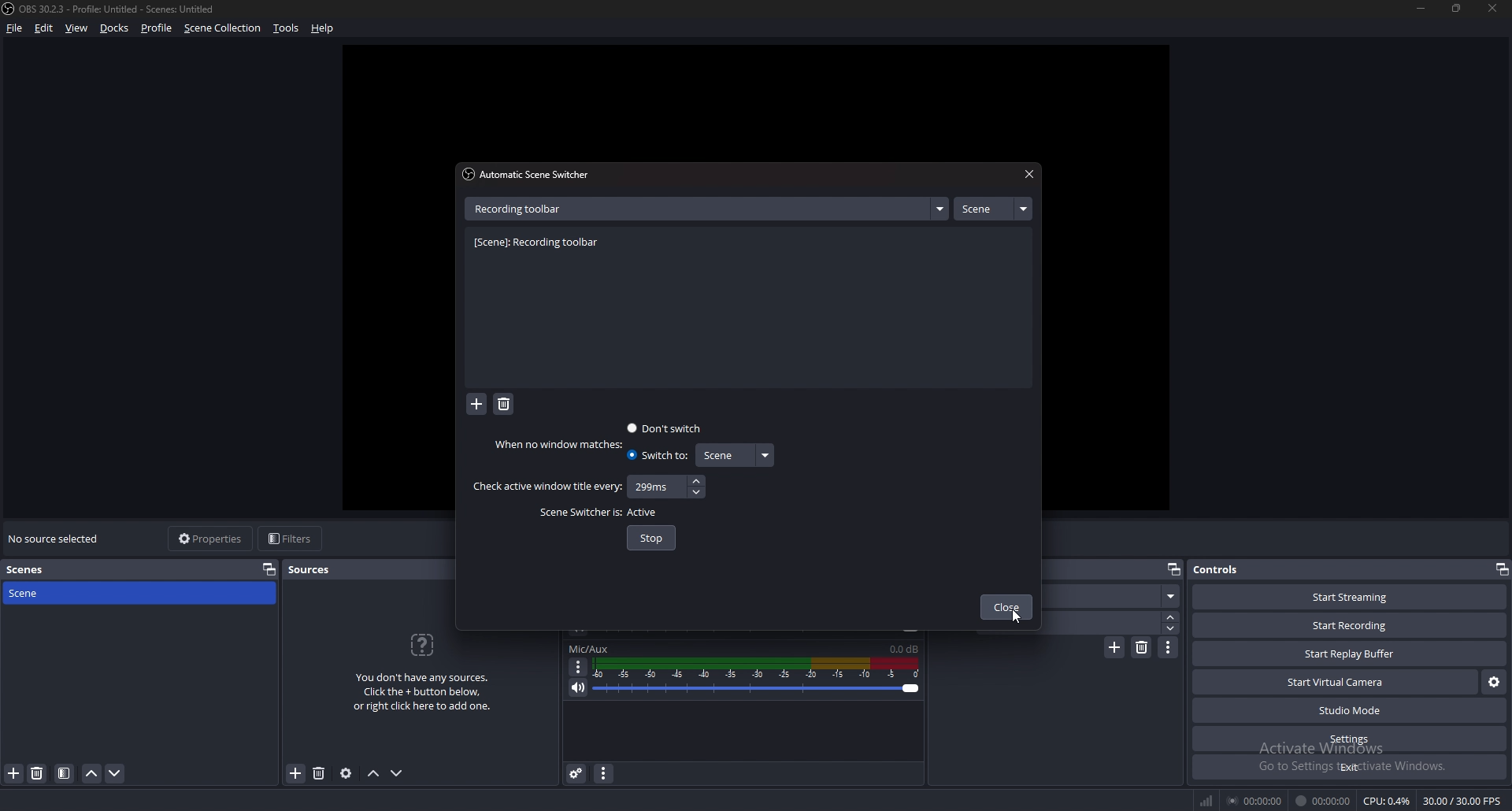  Describe the element at coordinates (579, 687) in the screenshot. I see `mute` at that location.